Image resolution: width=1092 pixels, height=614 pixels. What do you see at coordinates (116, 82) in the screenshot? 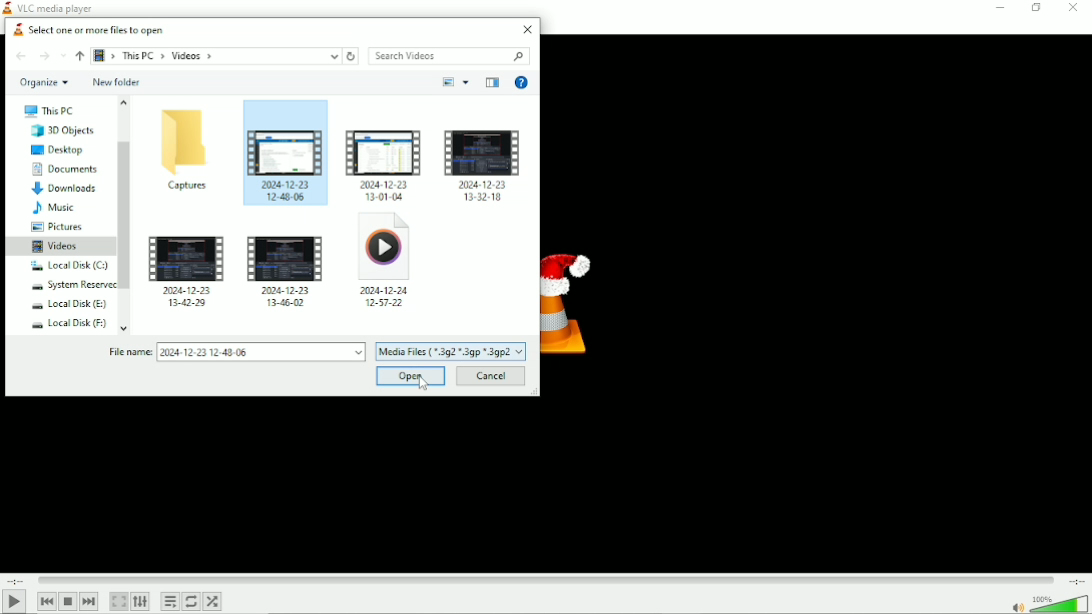
I see `New folder` at bounding box center [116, 82].